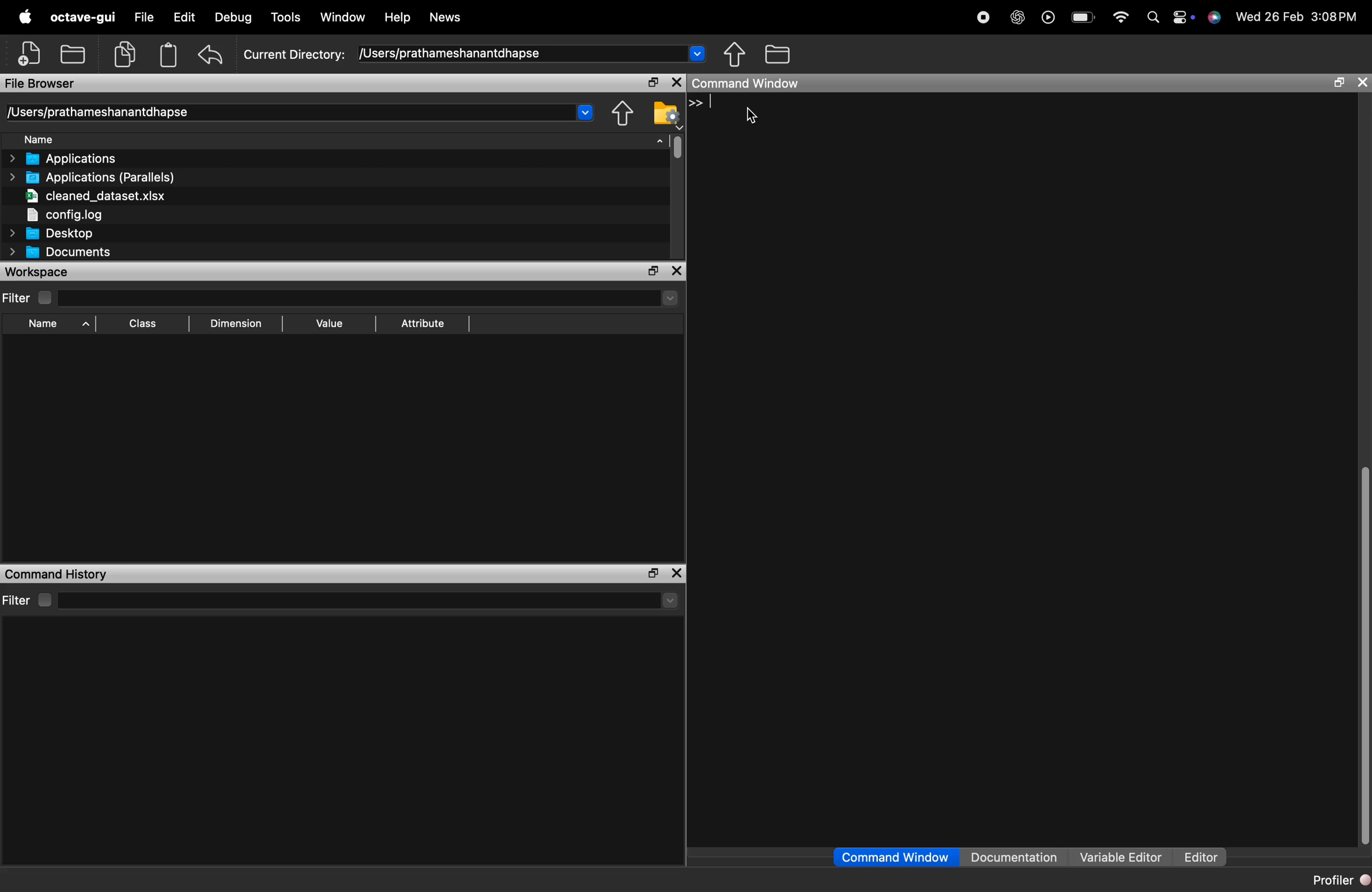  What do you see at coordinates (675, 84) in the screenshot?
I see `close` at bounding box center [675, 84].